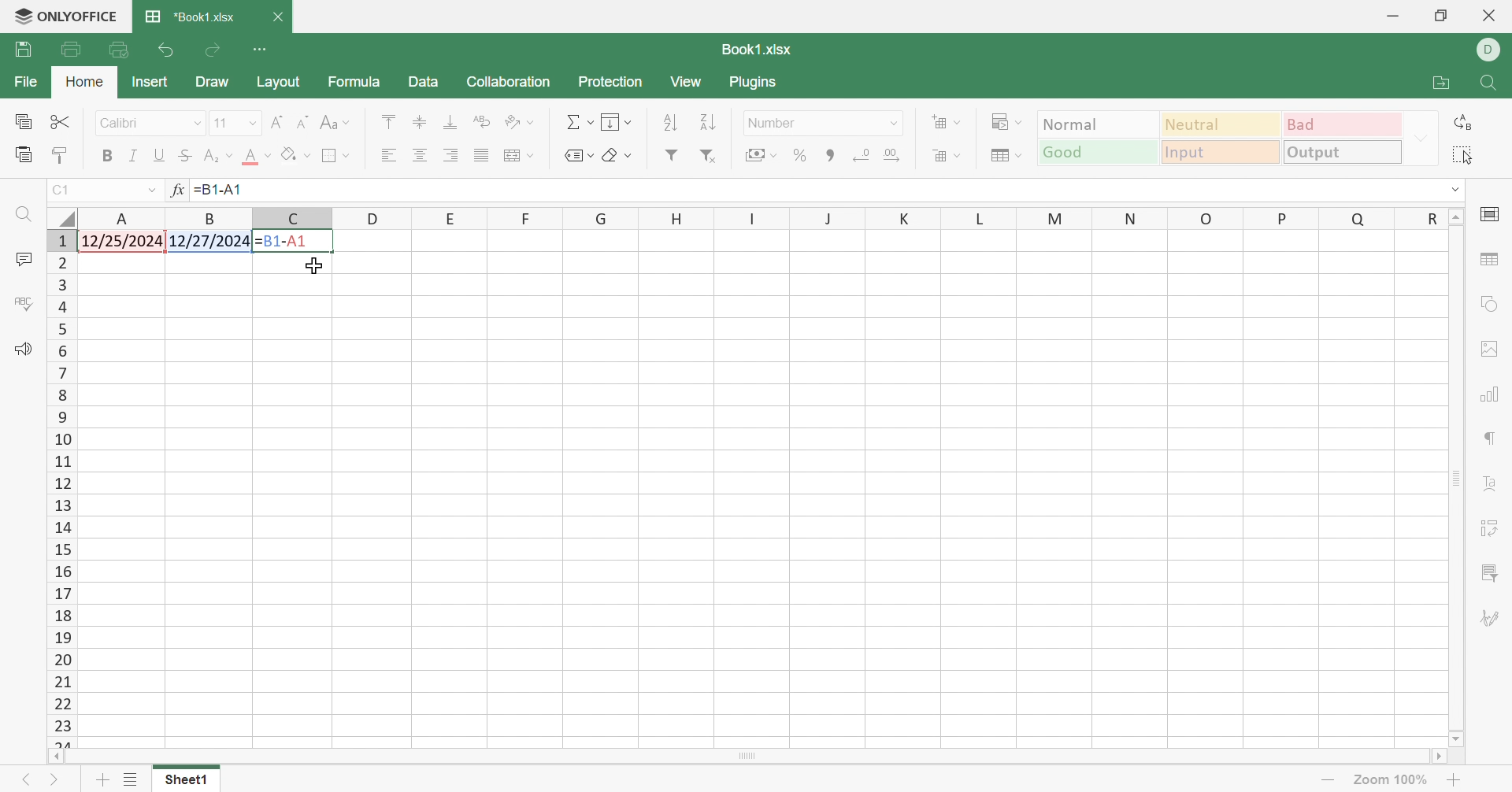  What do you see at coordinates (130, 780) in the screenshot?
I see `List of Sheet` at bounding box center [130, 780].